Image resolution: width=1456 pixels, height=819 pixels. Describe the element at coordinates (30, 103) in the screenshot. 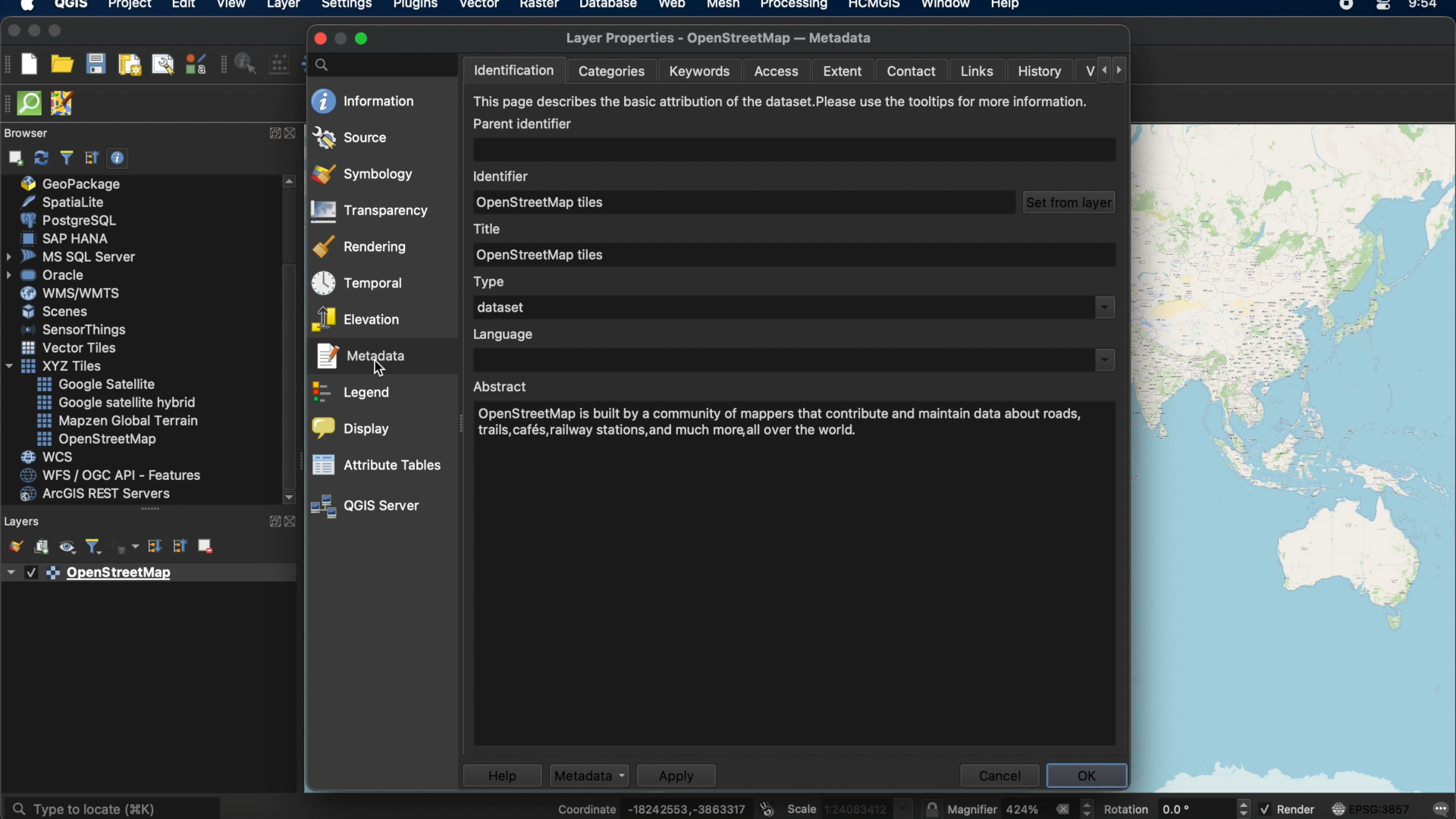

I see `quick OSM` at that location.